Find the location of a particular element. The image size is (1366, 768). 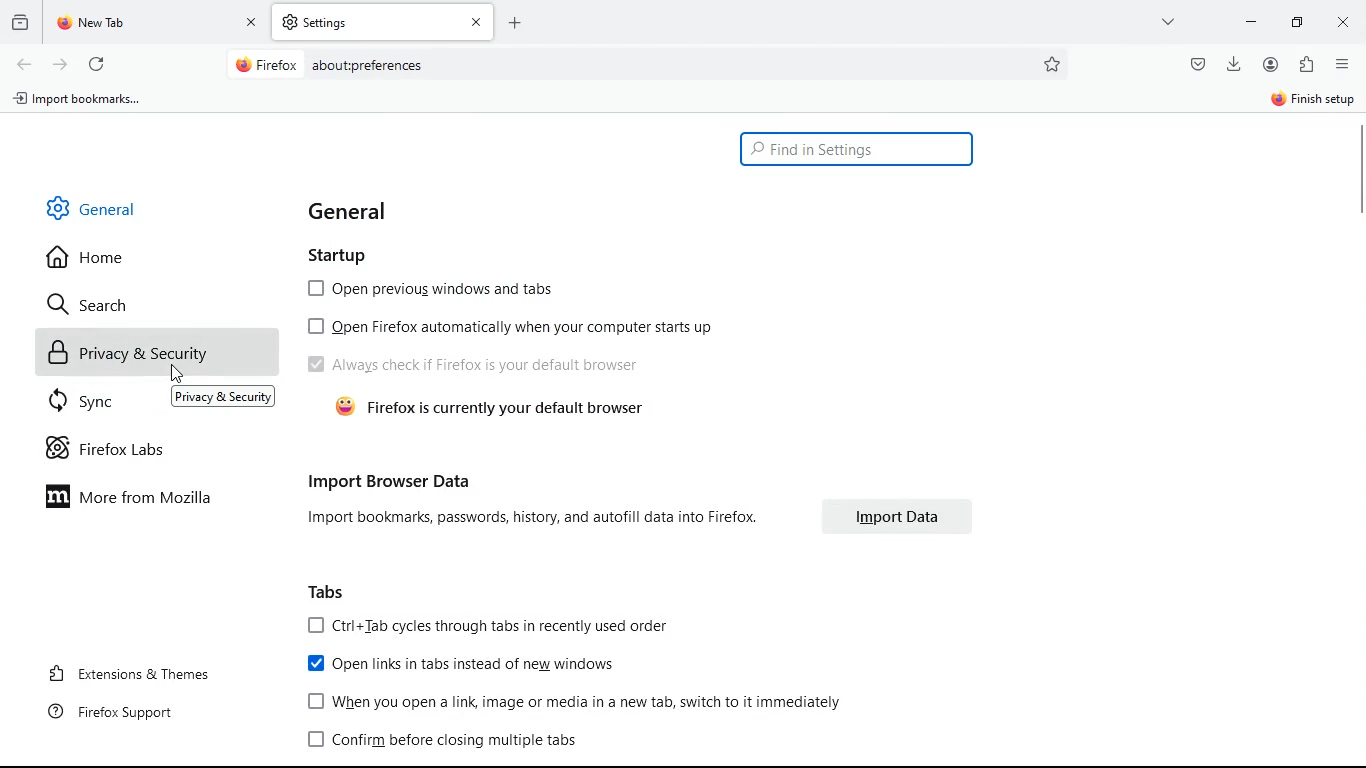

import bookmarks is located at coordinates (84, 103).